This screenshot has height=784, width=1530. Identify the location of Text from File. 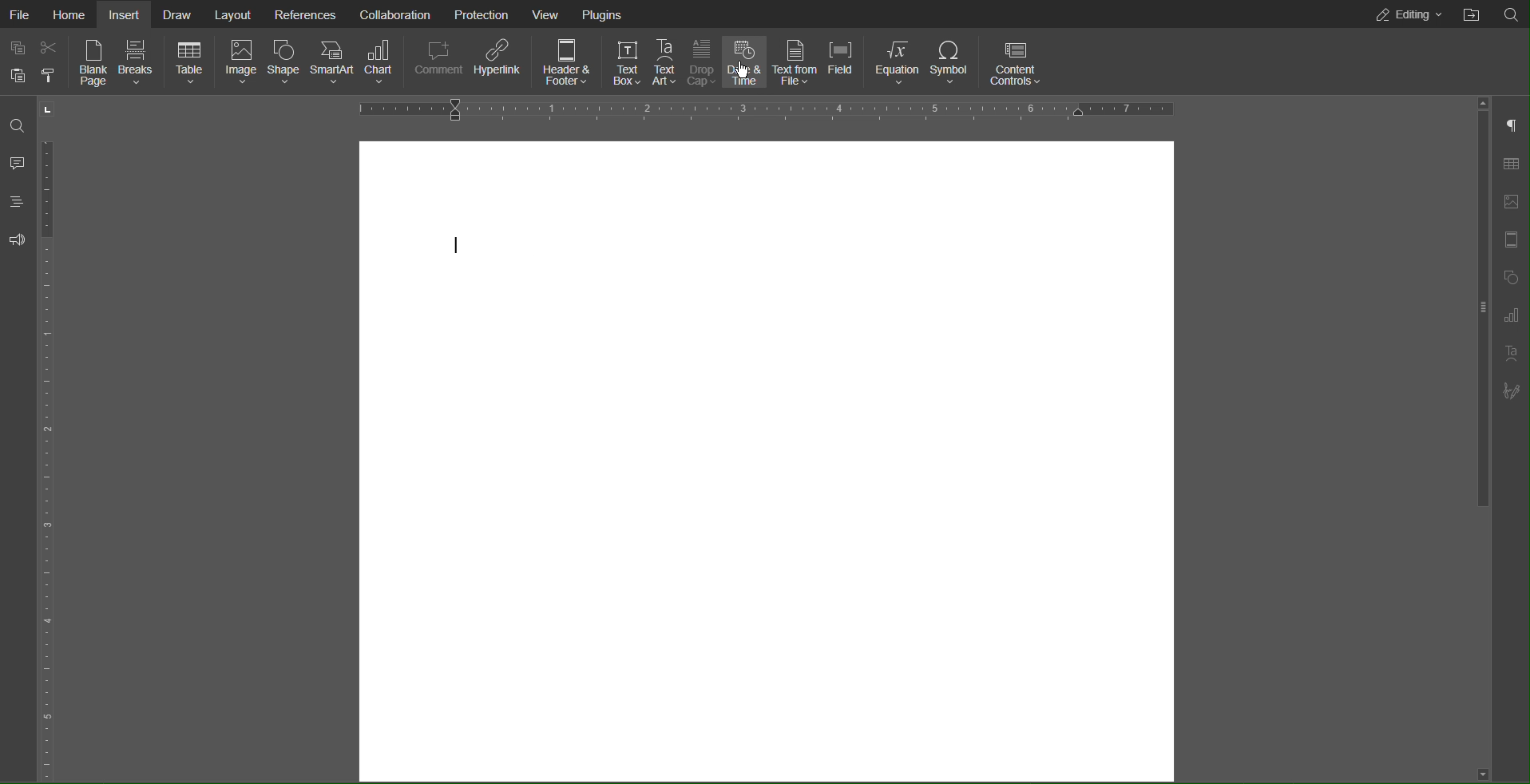
(795, 61).